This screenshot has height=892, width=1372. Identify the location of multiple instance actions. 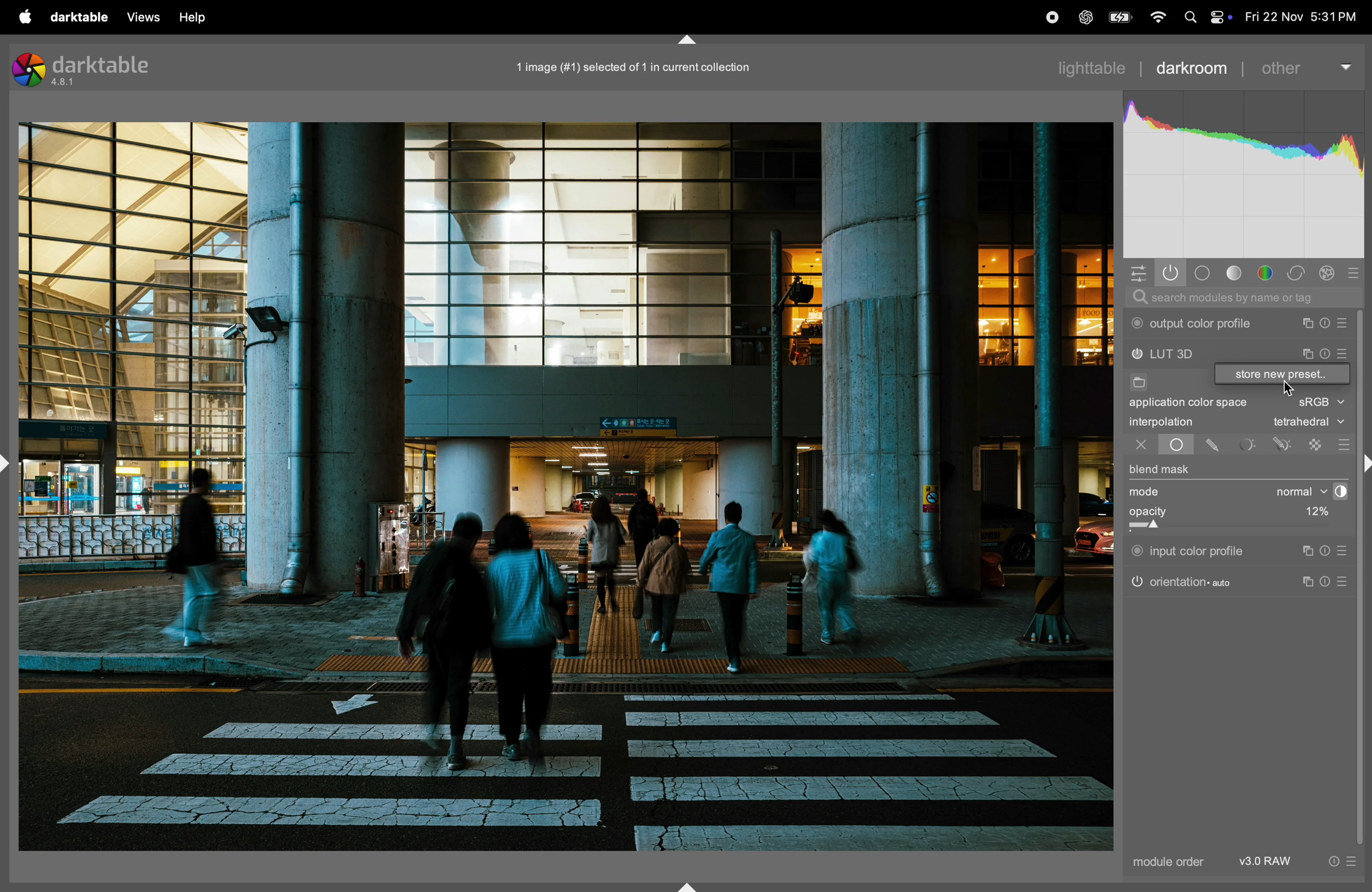
(1308, 323).